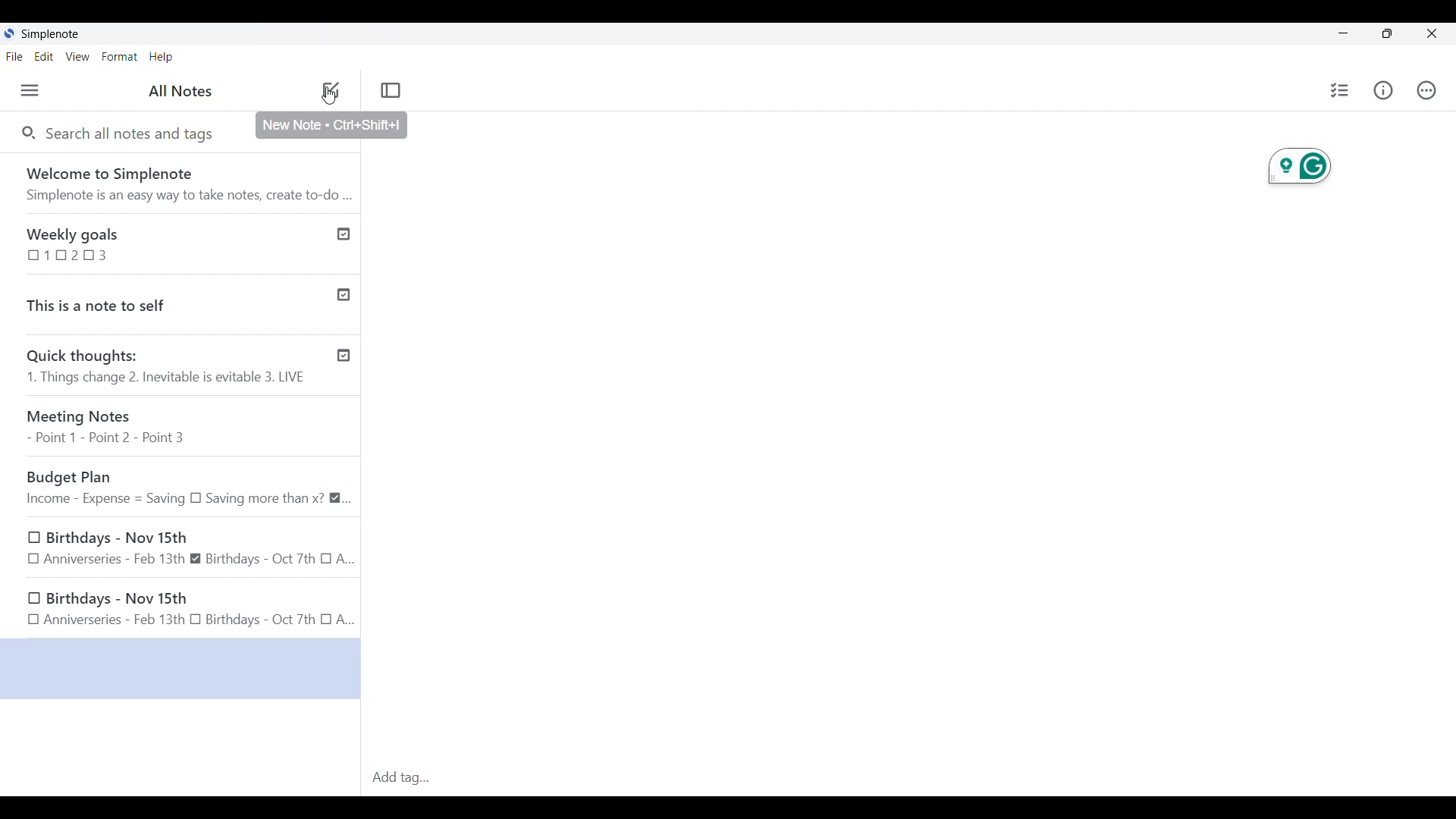 This screenshot has height=819, width=1456. Describe the element at coordinates (1431, 33) in the screenshot. I see `Close interface` at that location.